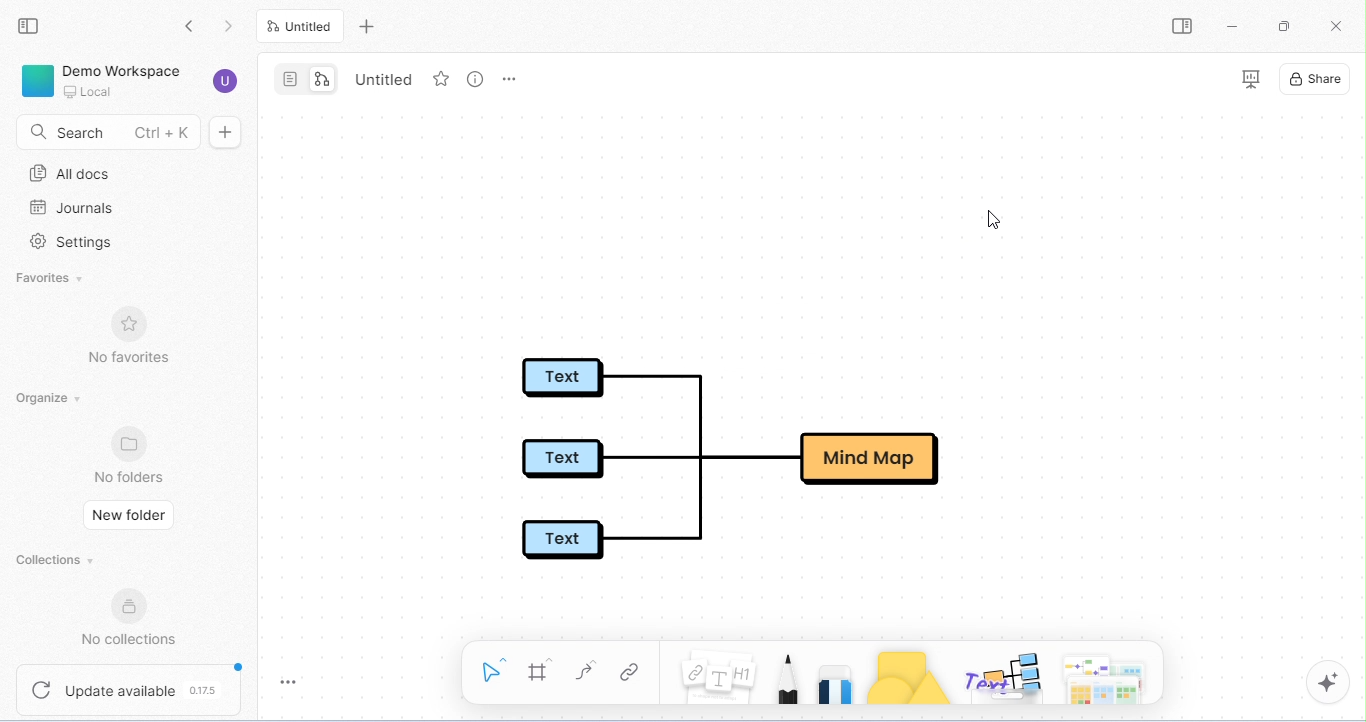  I want to click on eraser, so click(836, 682).